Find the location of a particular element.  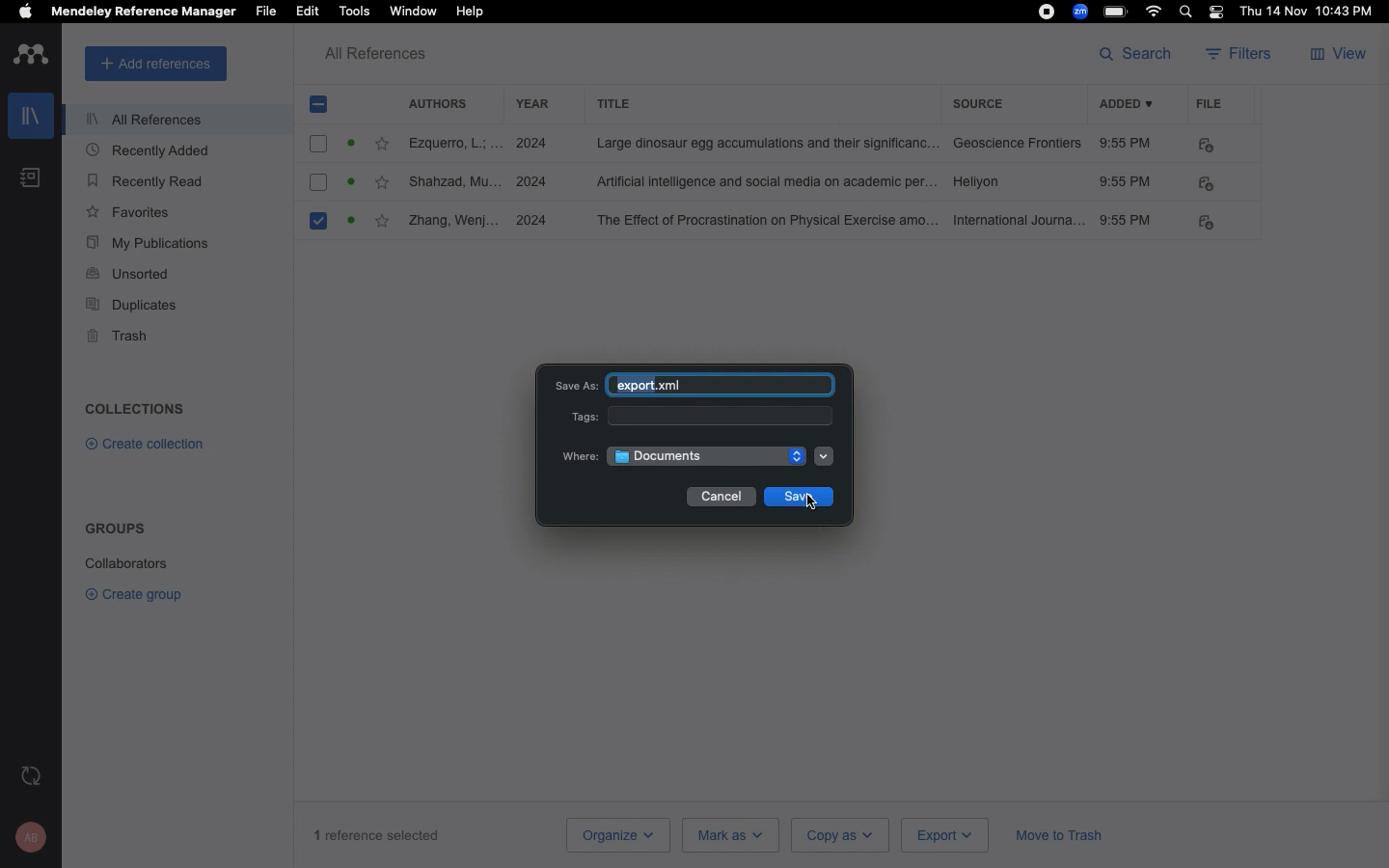

read is located at coordinates (356, 220).